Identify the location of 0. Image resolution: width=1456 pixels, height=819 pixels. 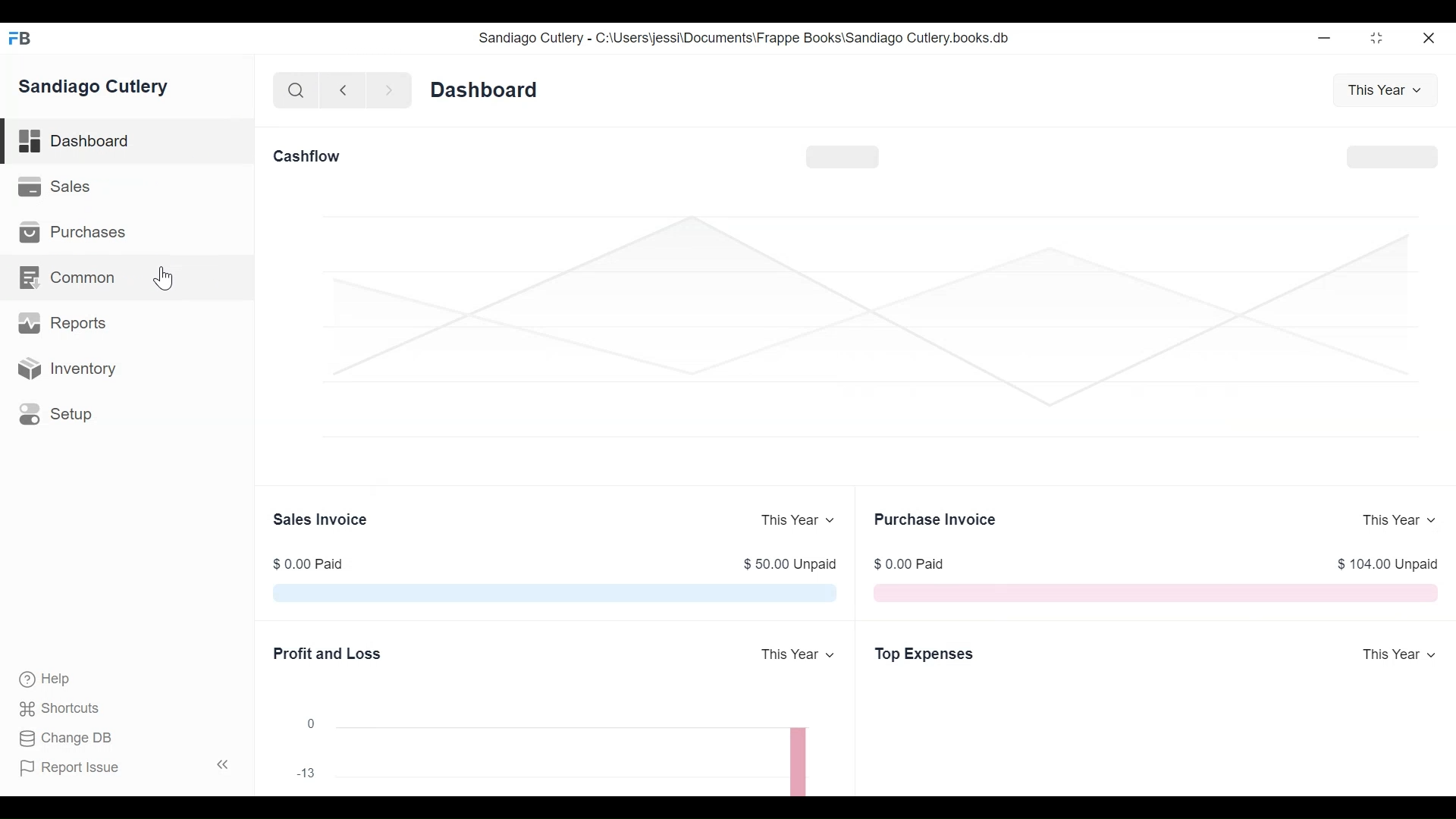
(311, 723).